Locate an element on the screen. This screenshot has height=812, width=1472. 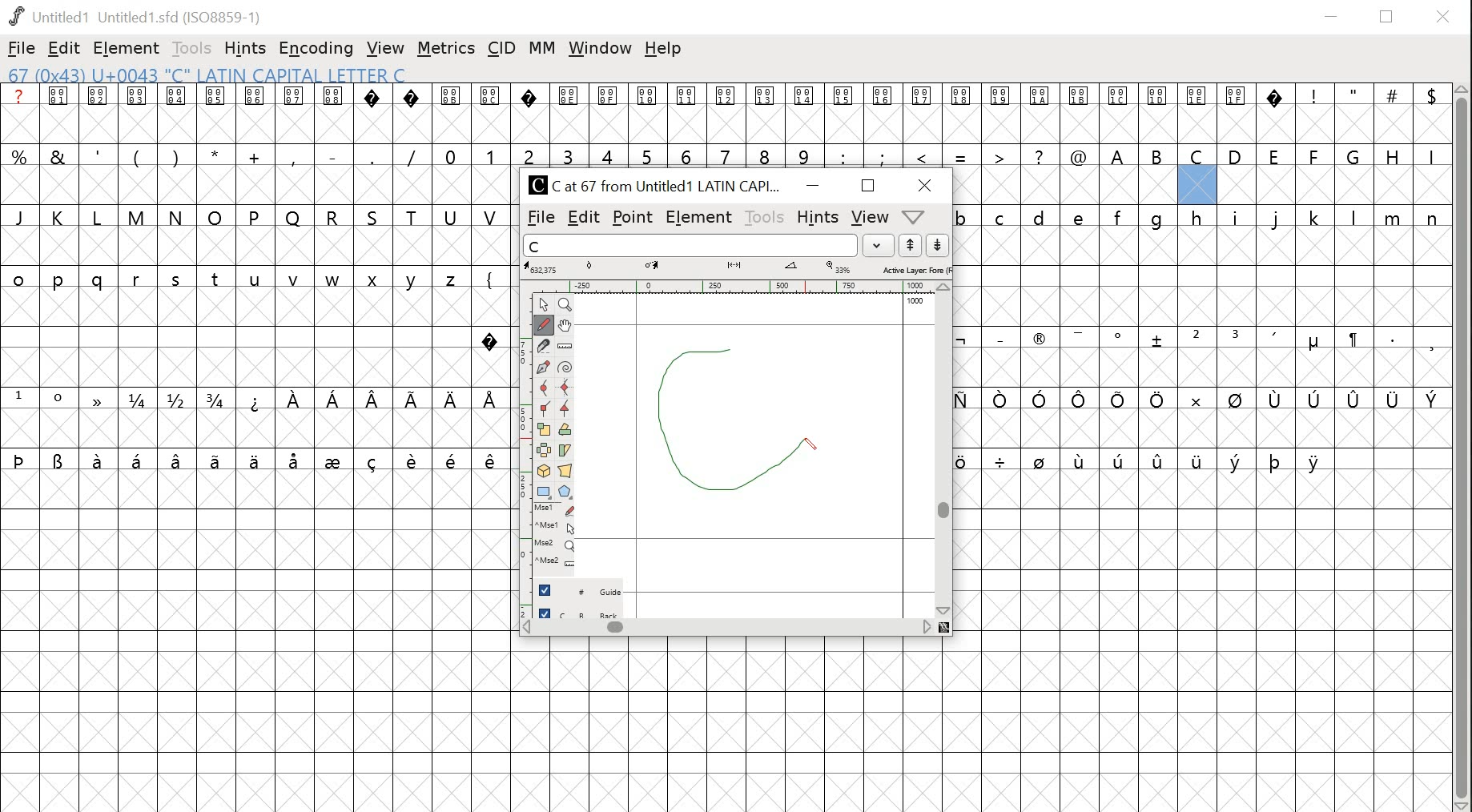
scrollbar is located at coordinates (1463, 448).